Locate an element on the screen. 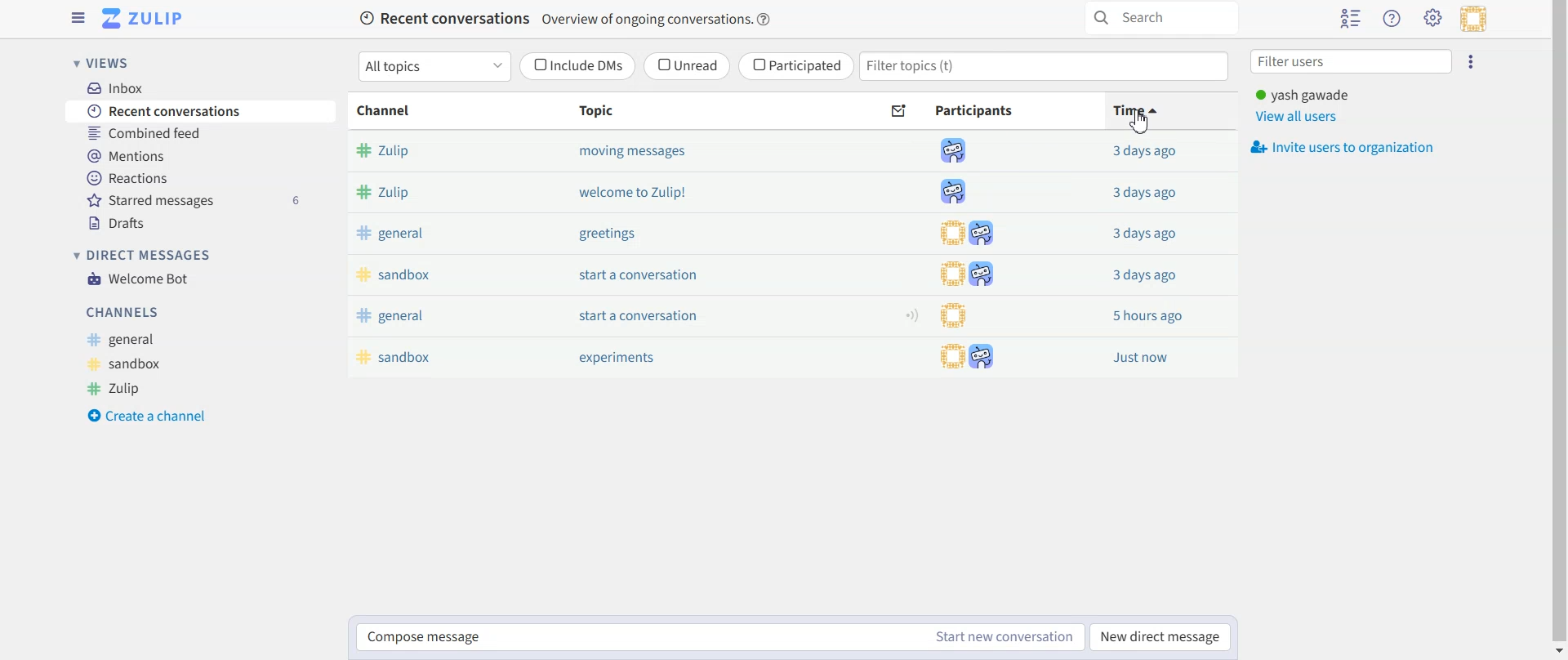 The image size is (1568, 660). Participated is located at coordinates (797, 66).